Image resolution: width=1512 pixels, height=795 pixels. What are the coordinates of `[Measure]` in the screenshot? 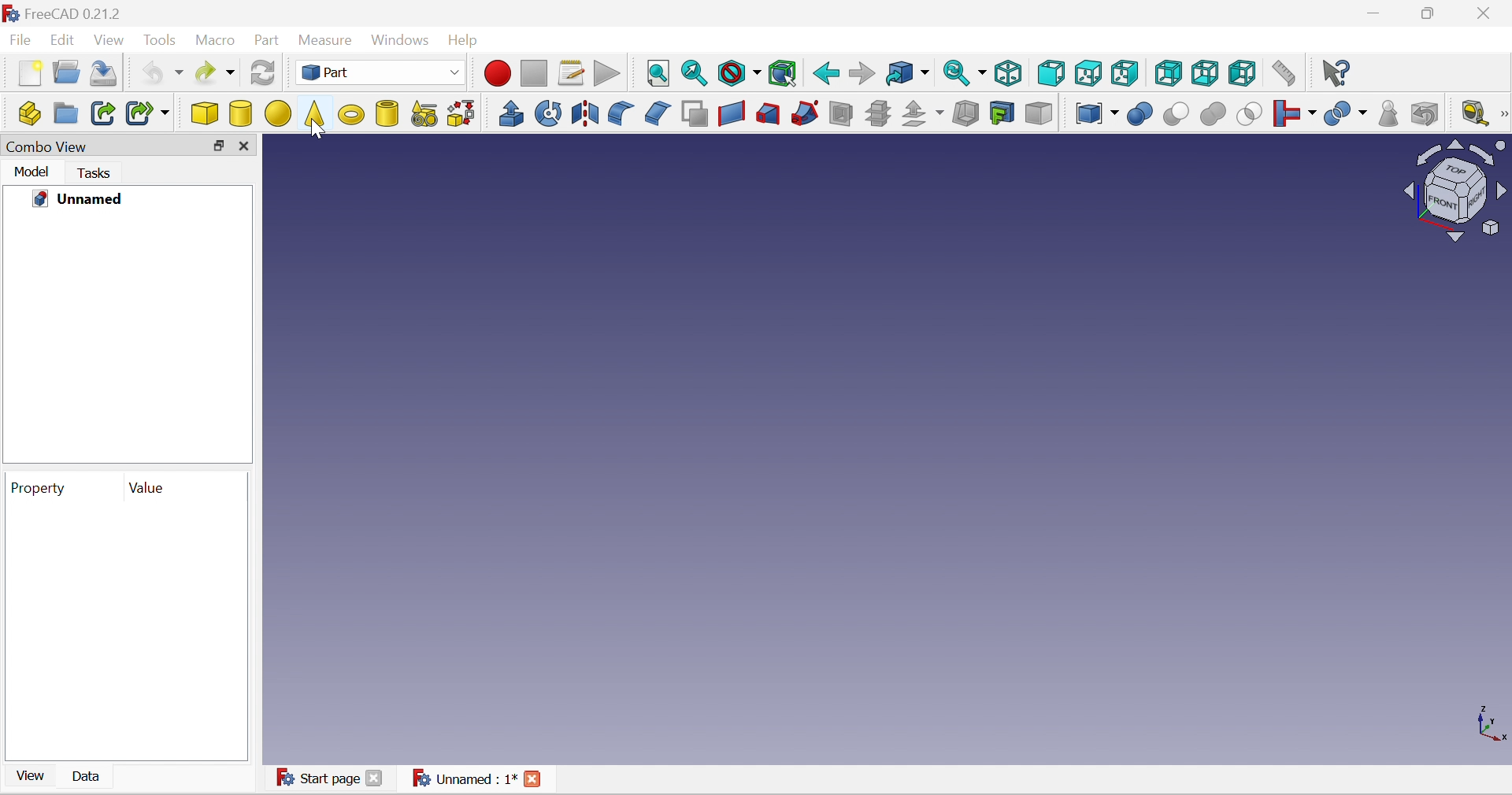 It's located at (1503, 112).